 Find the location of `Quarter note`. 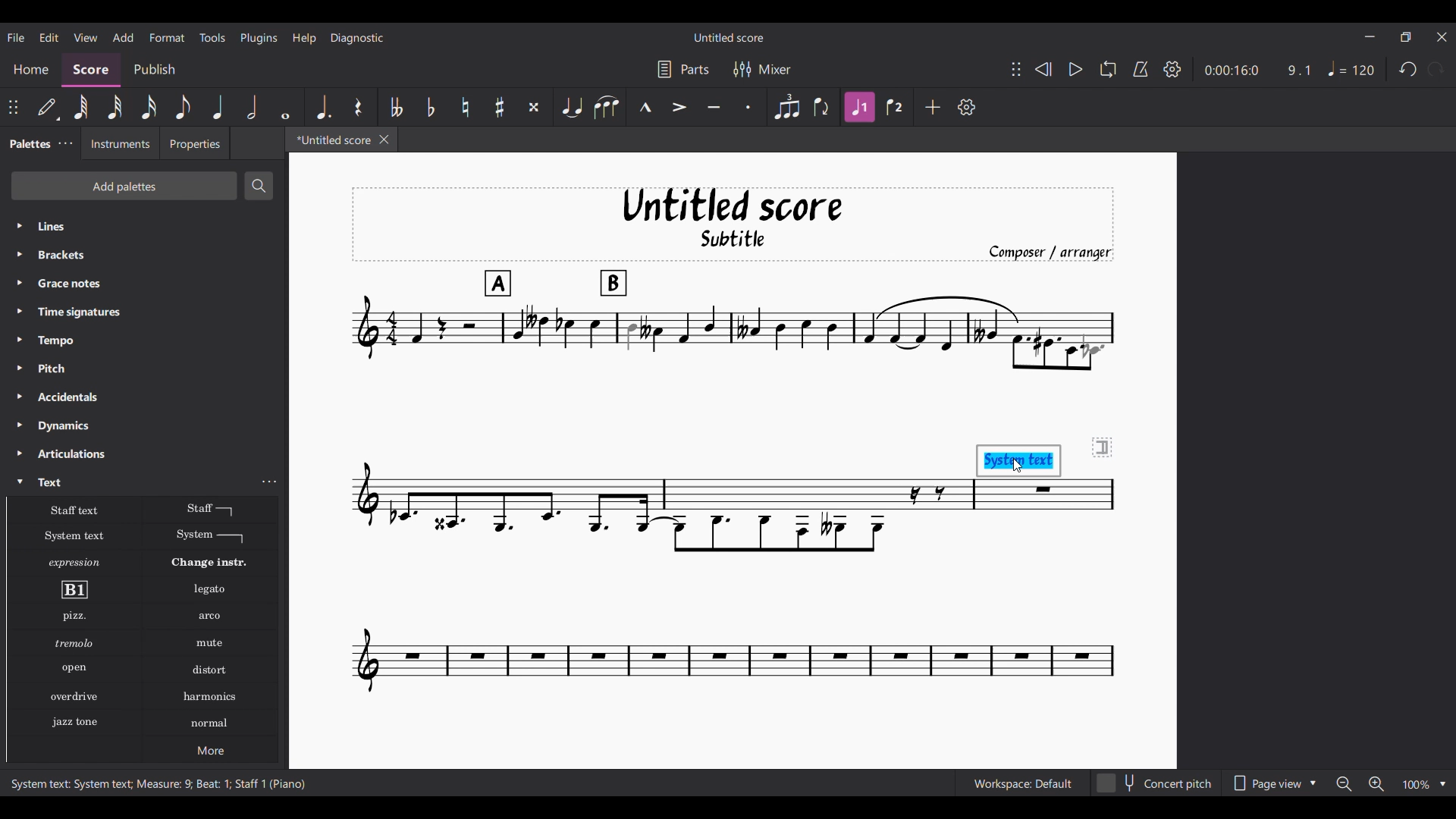

Quarter note is located at coordinates (218, 106).